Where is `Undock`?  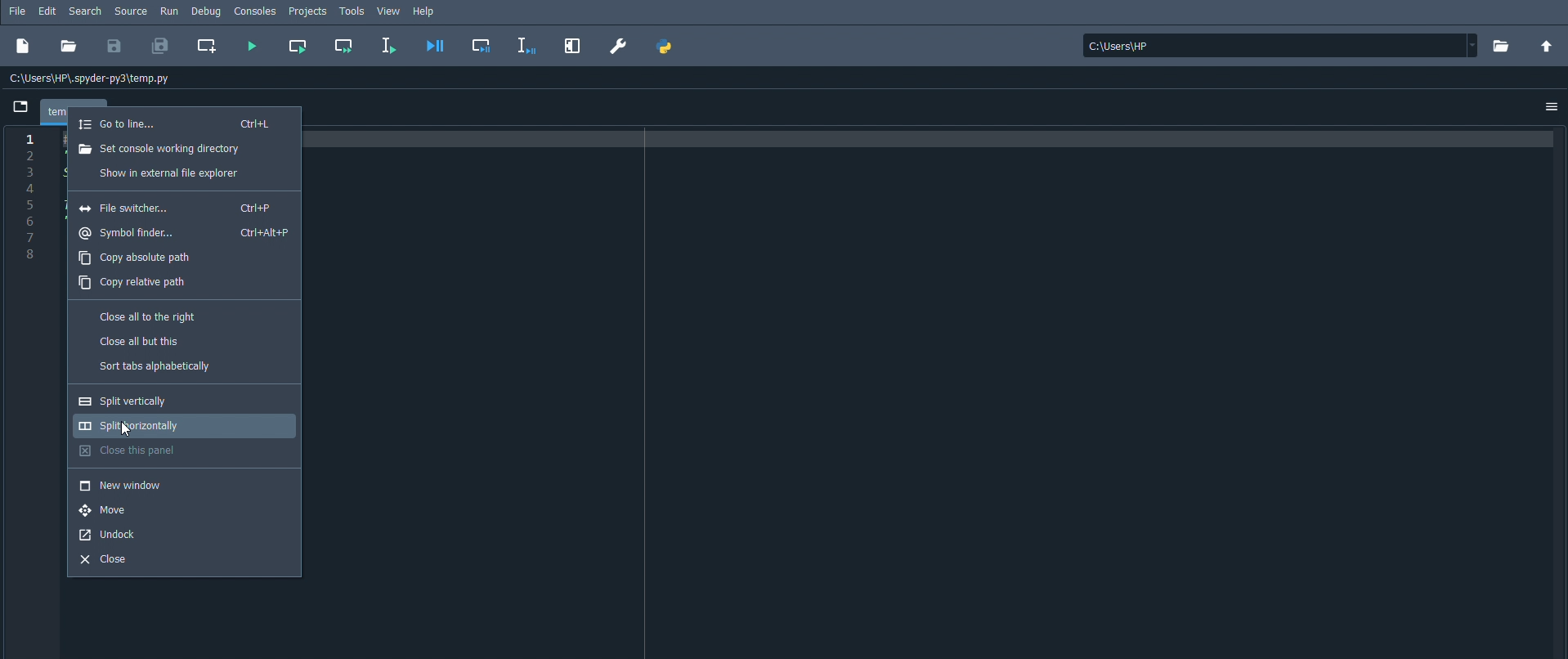
Undock is located at coordinates (107, 536).